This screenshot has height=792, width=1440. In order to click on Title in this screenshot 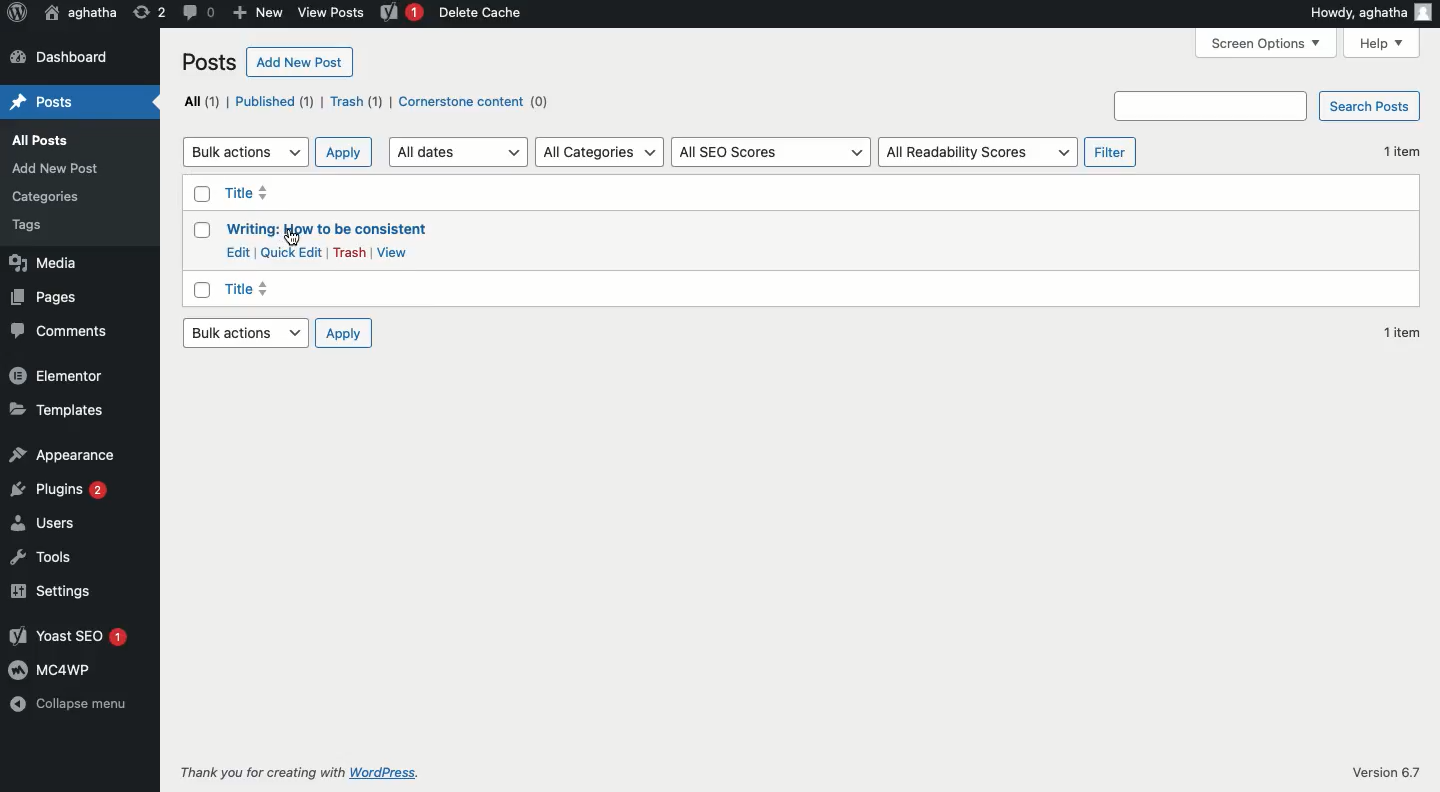, I will do `click(319, 196)`.